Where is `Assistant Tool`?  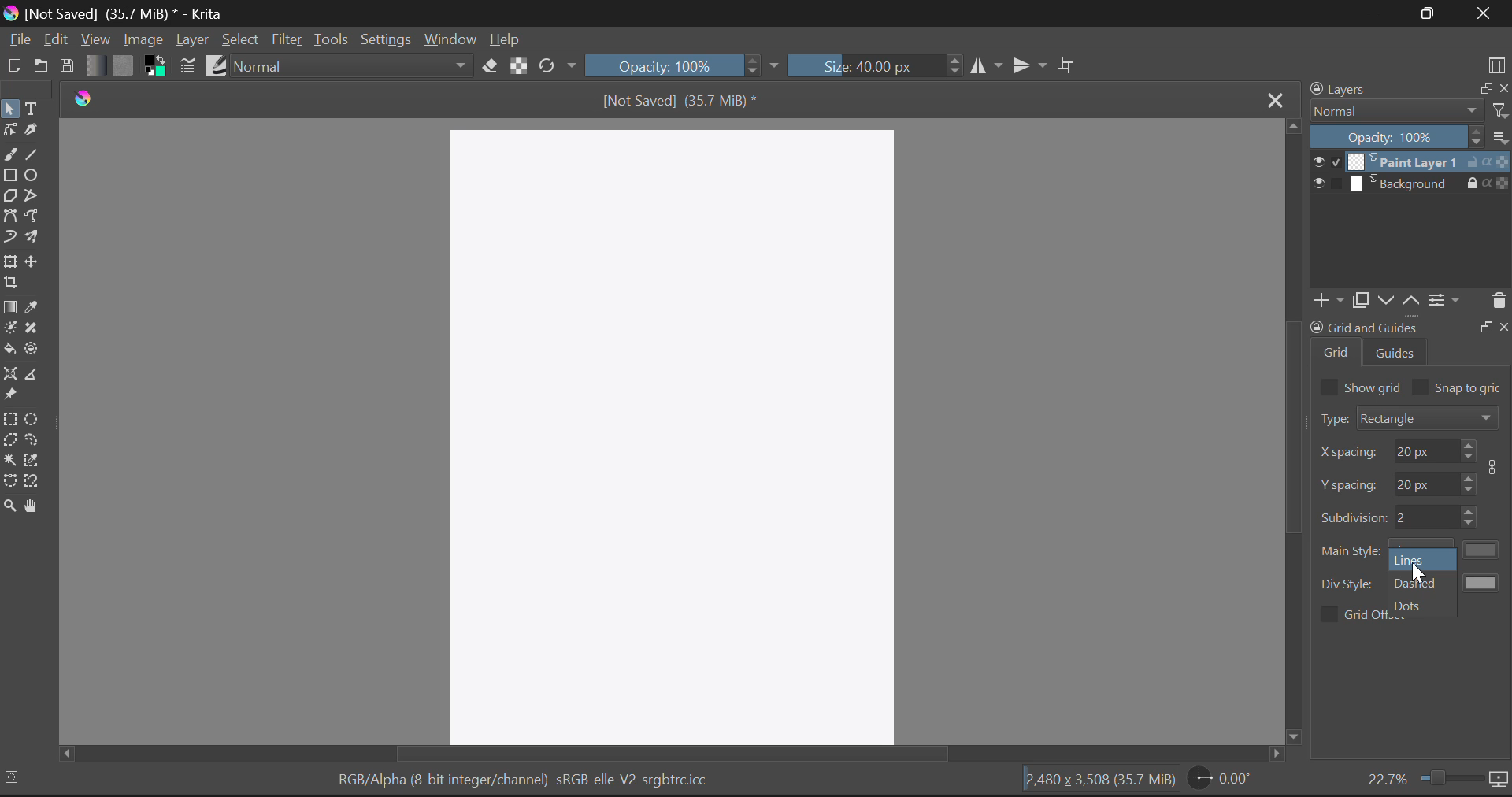
Assistant Tool is located at coordinates (11, 375).